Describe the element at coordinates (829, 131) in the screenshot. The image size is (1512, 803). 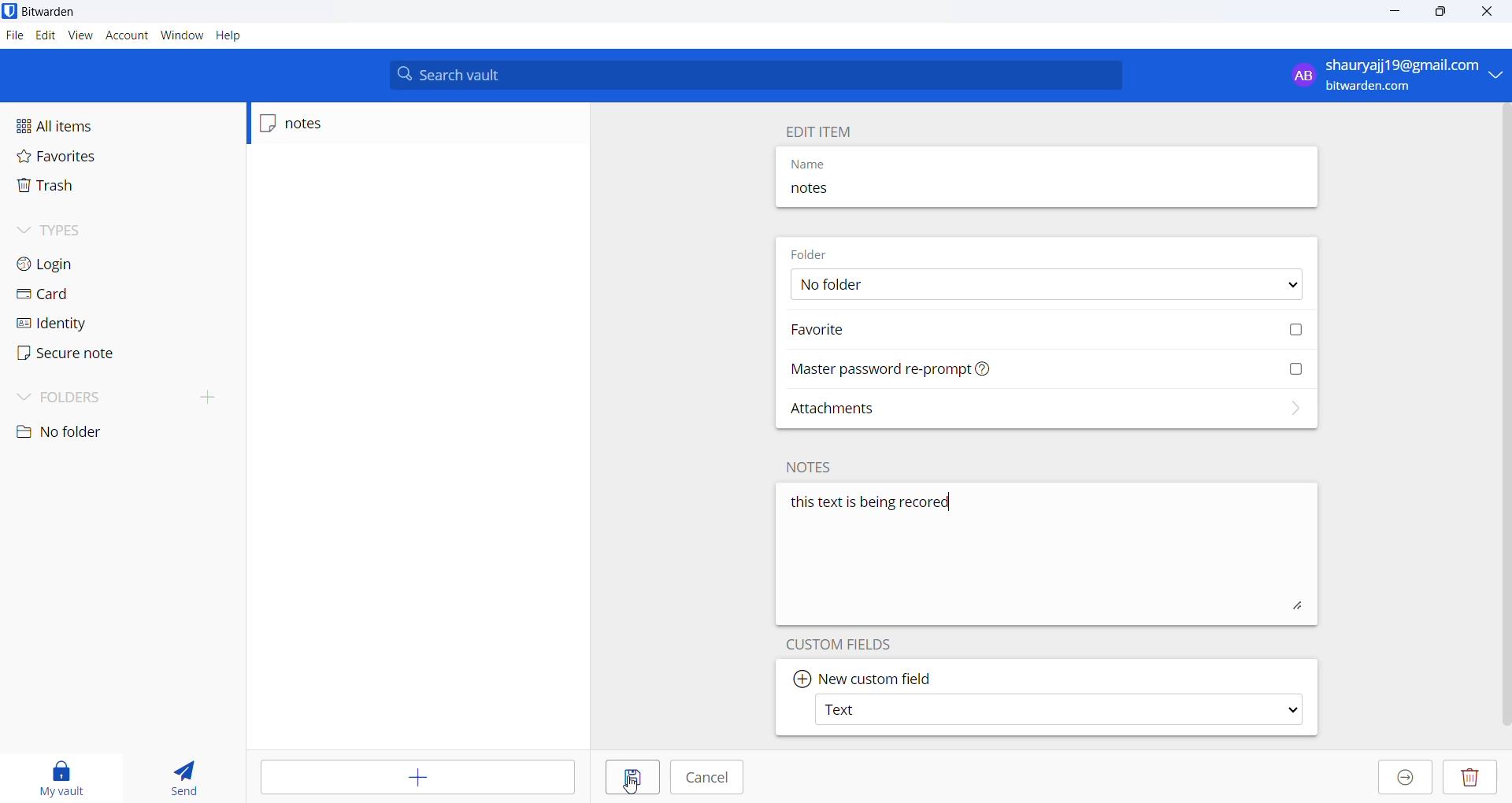
I see `edit item` at that location.